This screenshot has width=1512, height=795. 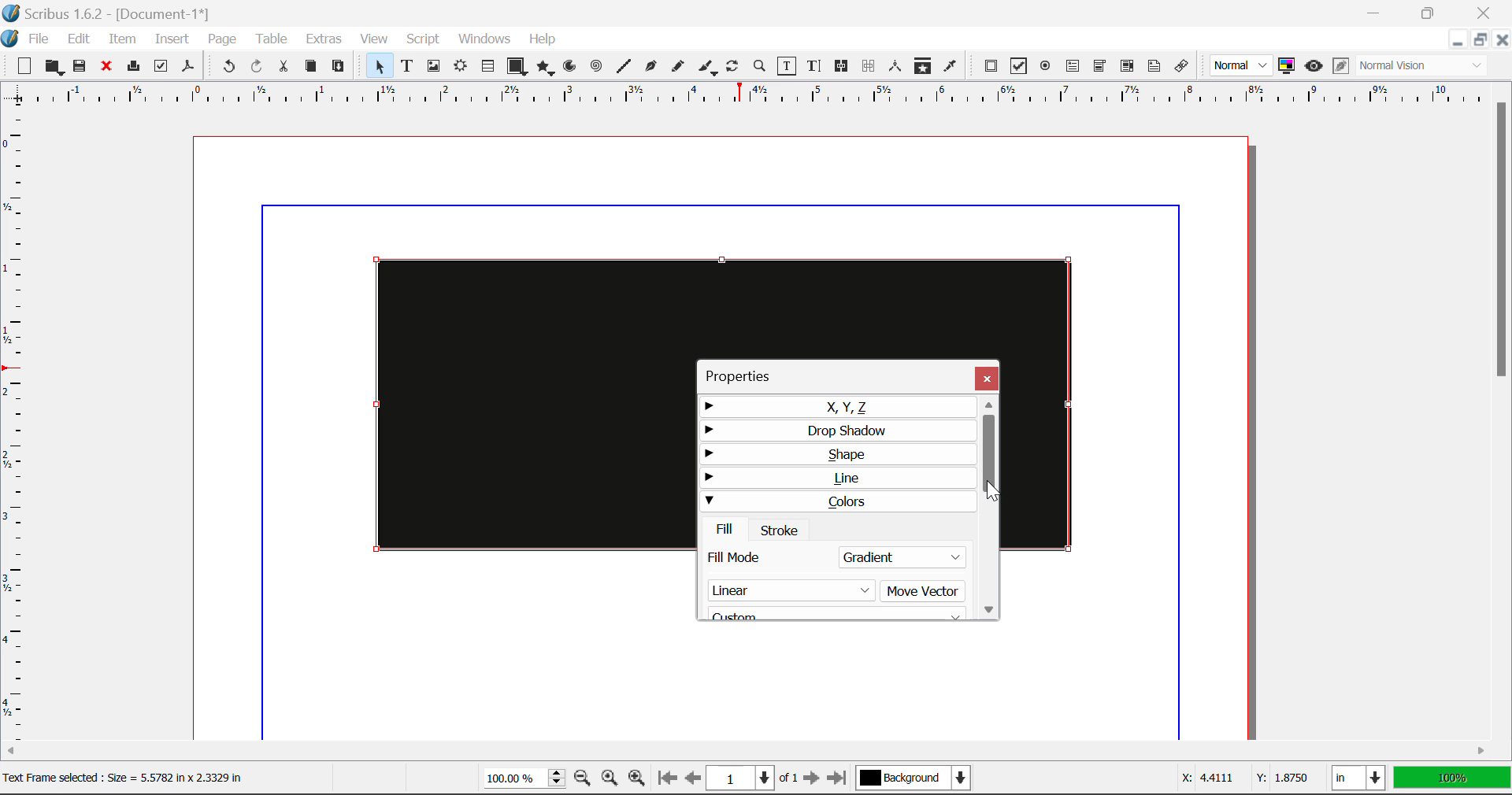 What do you see at coordinates (637, 780) in the screenshot?
I see `Zoom In` at bounding box center [637, 780].